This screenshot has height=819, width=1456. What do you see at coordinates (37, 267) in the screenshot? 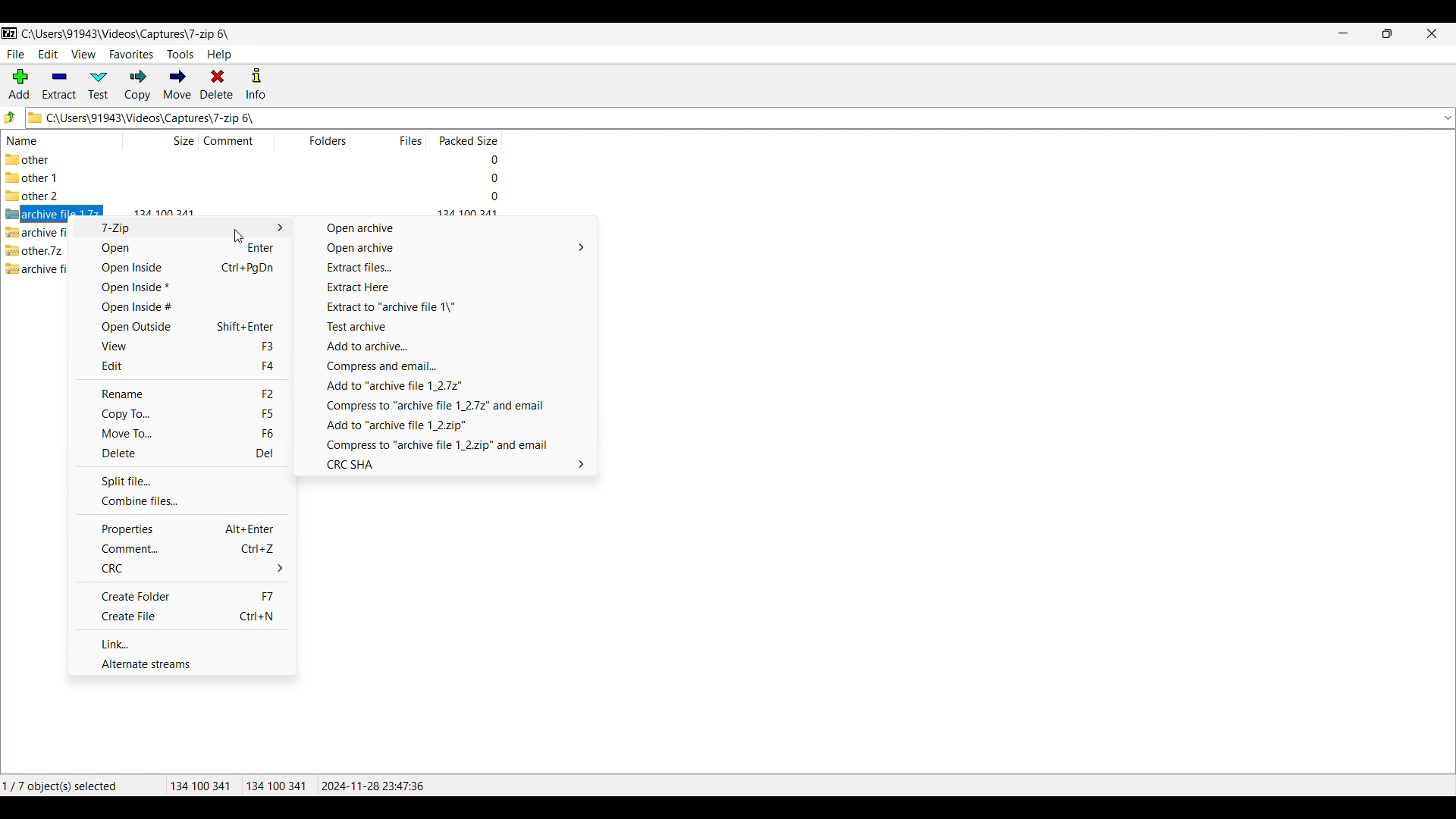
I see `archive file 2.7z ` at bounding box center [37, 267].